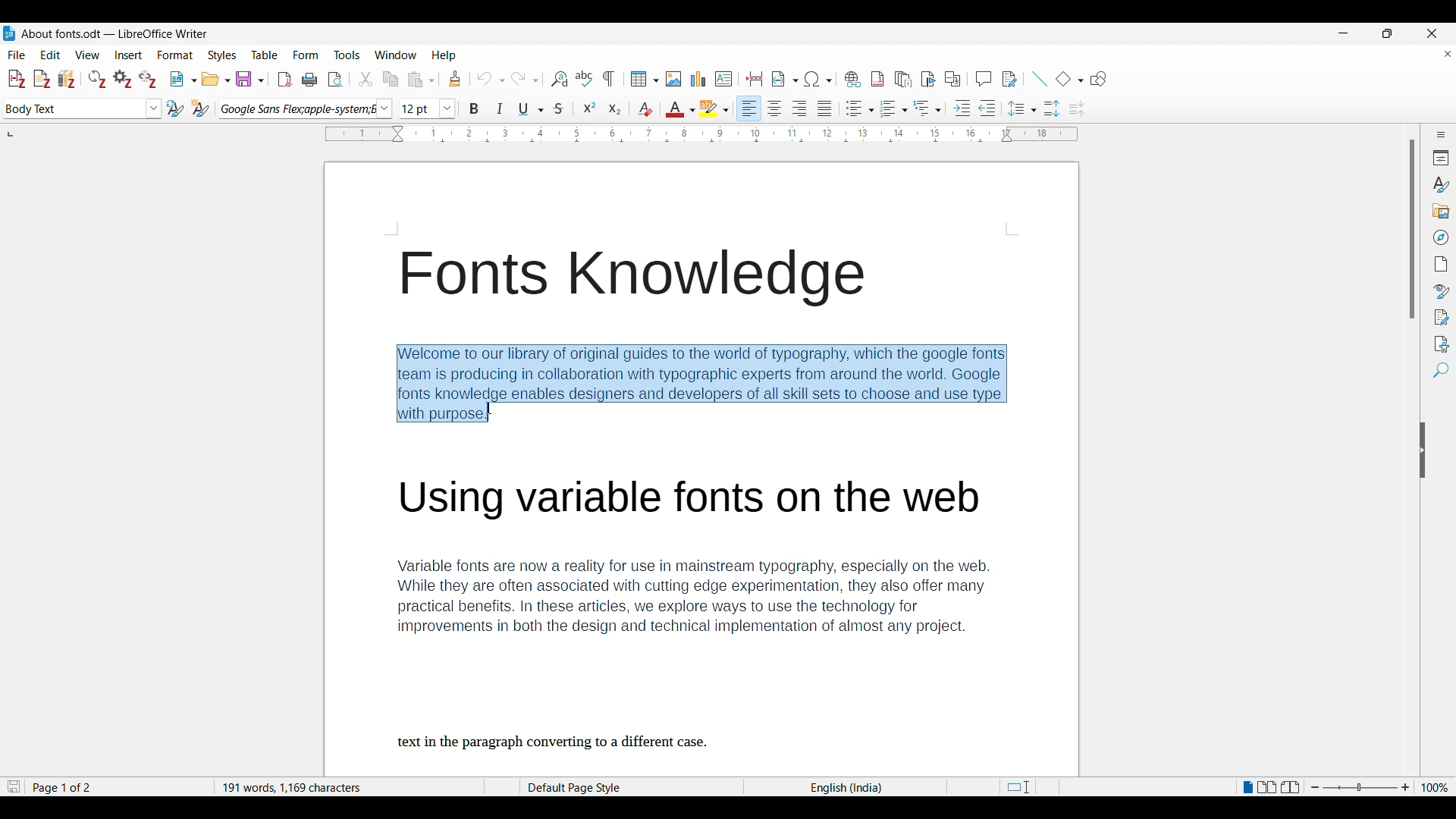 The width and height of the screenshot is (1456, 819). What do you see at coordinates (1040, 79) in the screenshot?
I see `Insert line` at bounding box center [1040, 79].